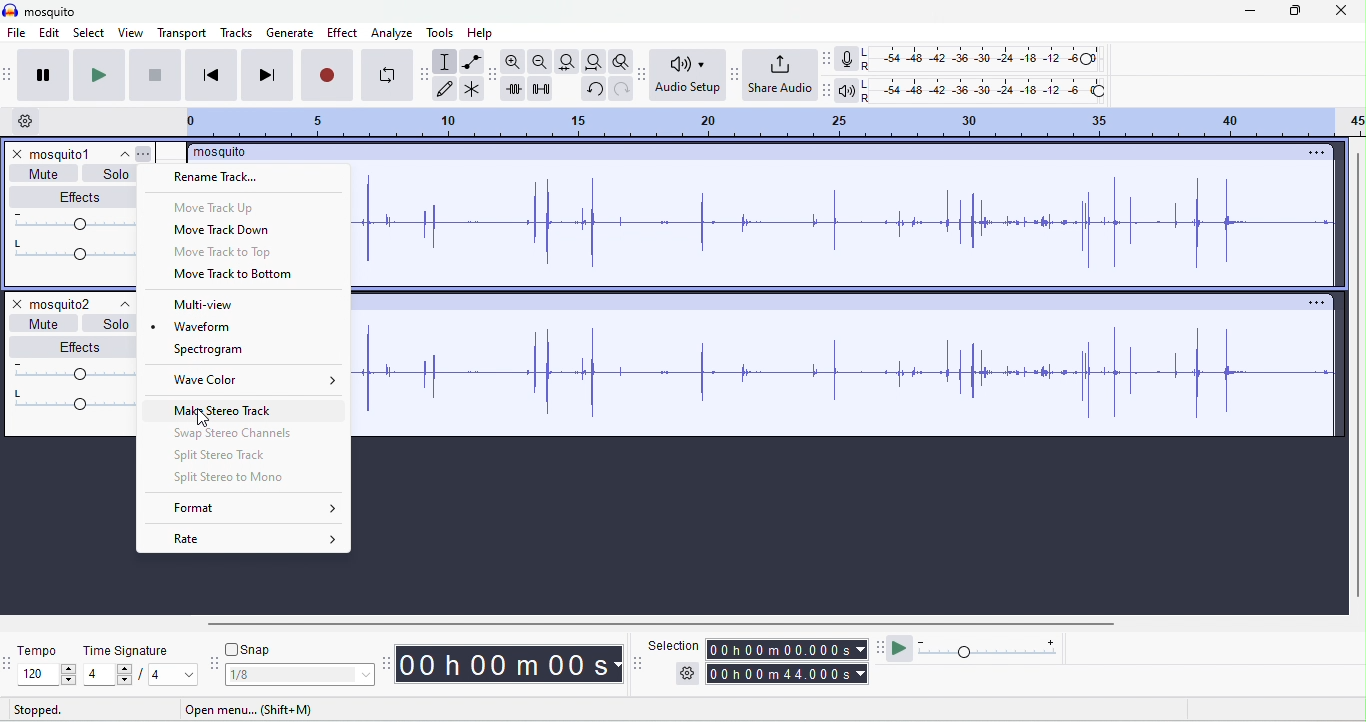 The image size is (1366, 722). Describe the element at coordinates (226, 150) in the screenshot. I see `title` at that location.